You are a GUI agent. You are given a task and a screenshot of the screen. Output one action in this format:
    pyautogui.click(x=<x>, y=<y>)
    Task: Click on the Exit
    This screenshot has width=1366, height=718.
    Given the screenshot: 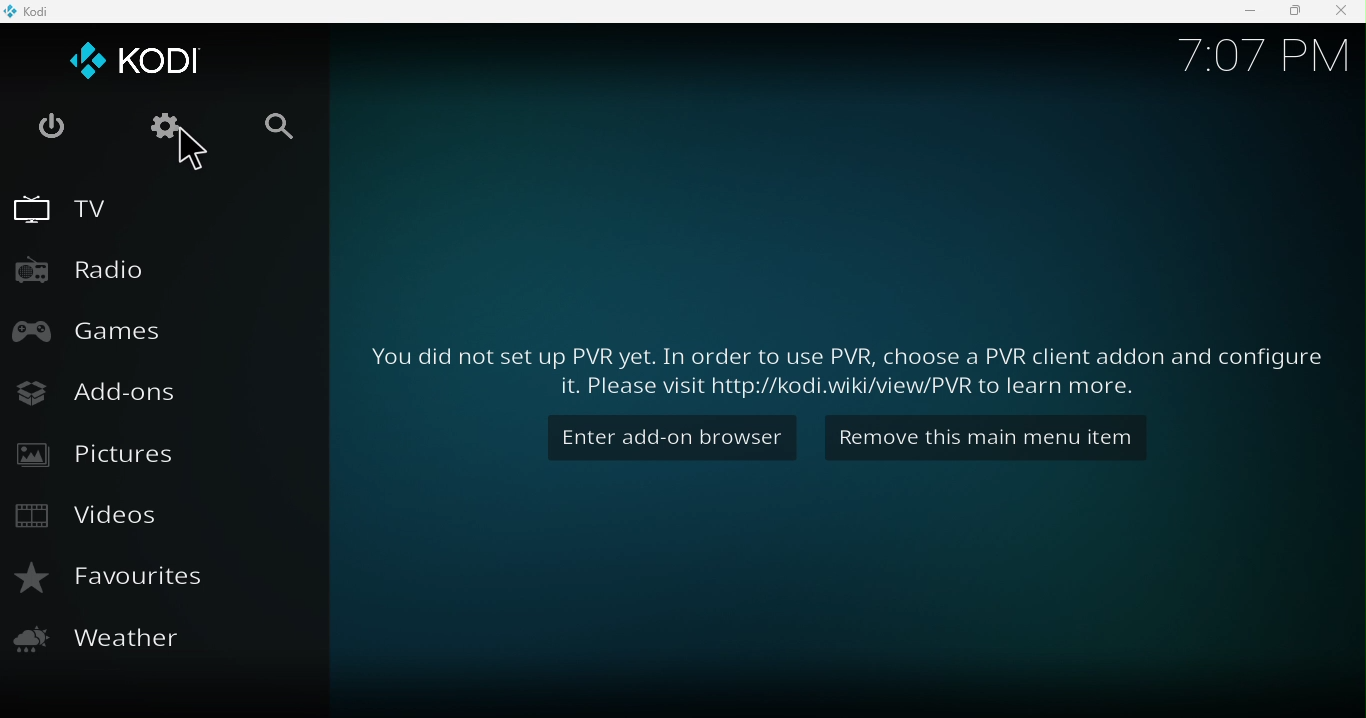 What is the action you would take?
    pyautogui.click(x=50, y=127)
    